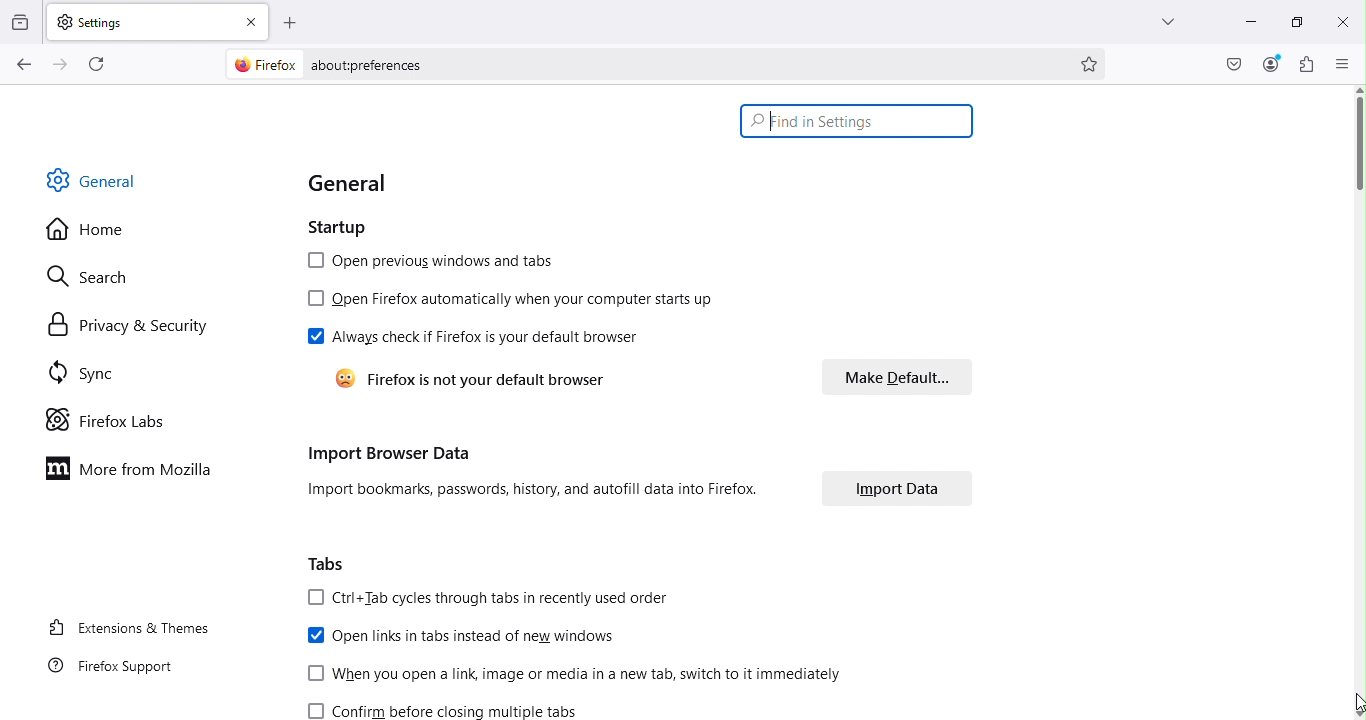  Describe the element at coordinates (1245, 24) in the screenshot. I see `Minimize tab` at that location.